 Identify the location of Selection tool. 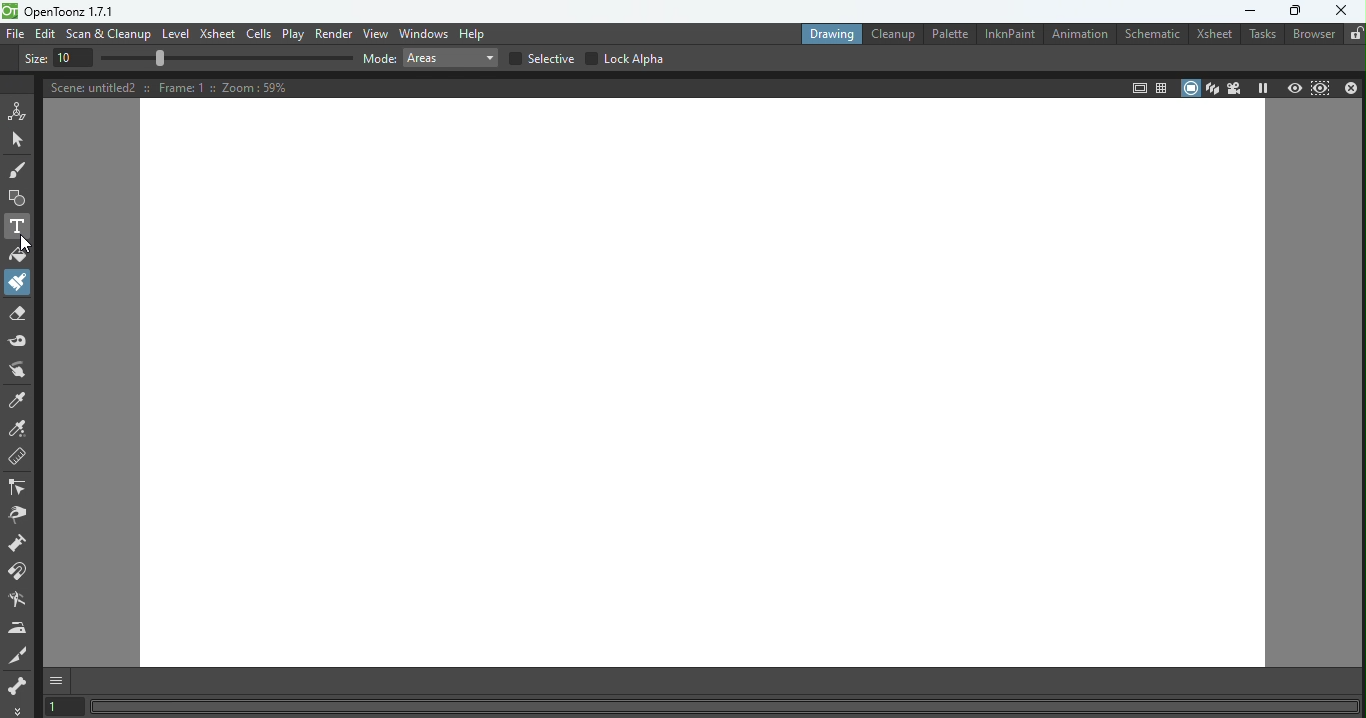
(18, 142).